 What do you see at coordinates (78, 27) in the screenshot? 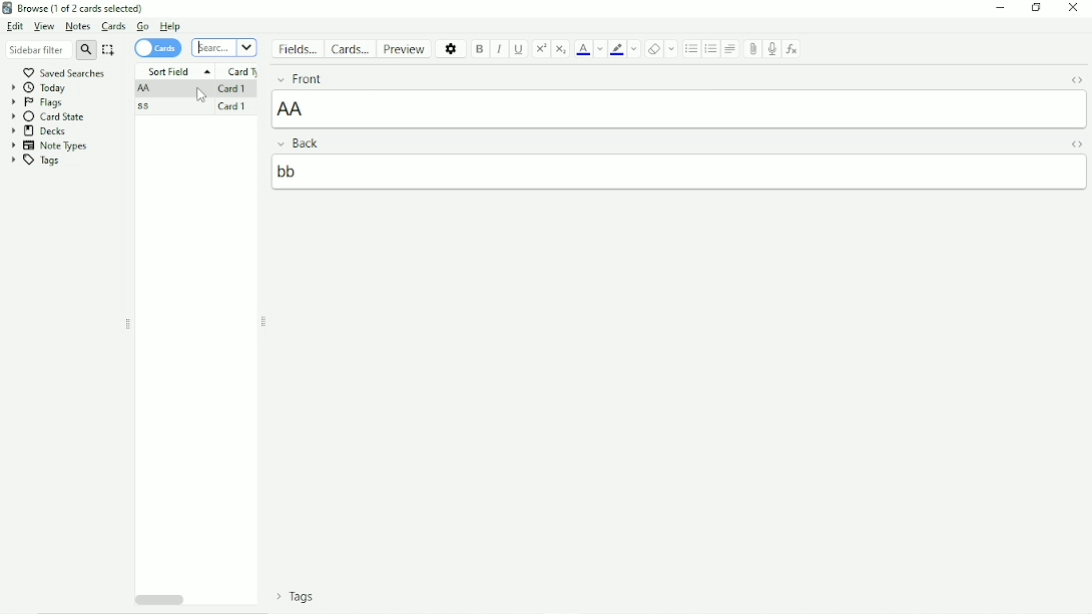
I see `Notes` at bounding box center [78, 27].